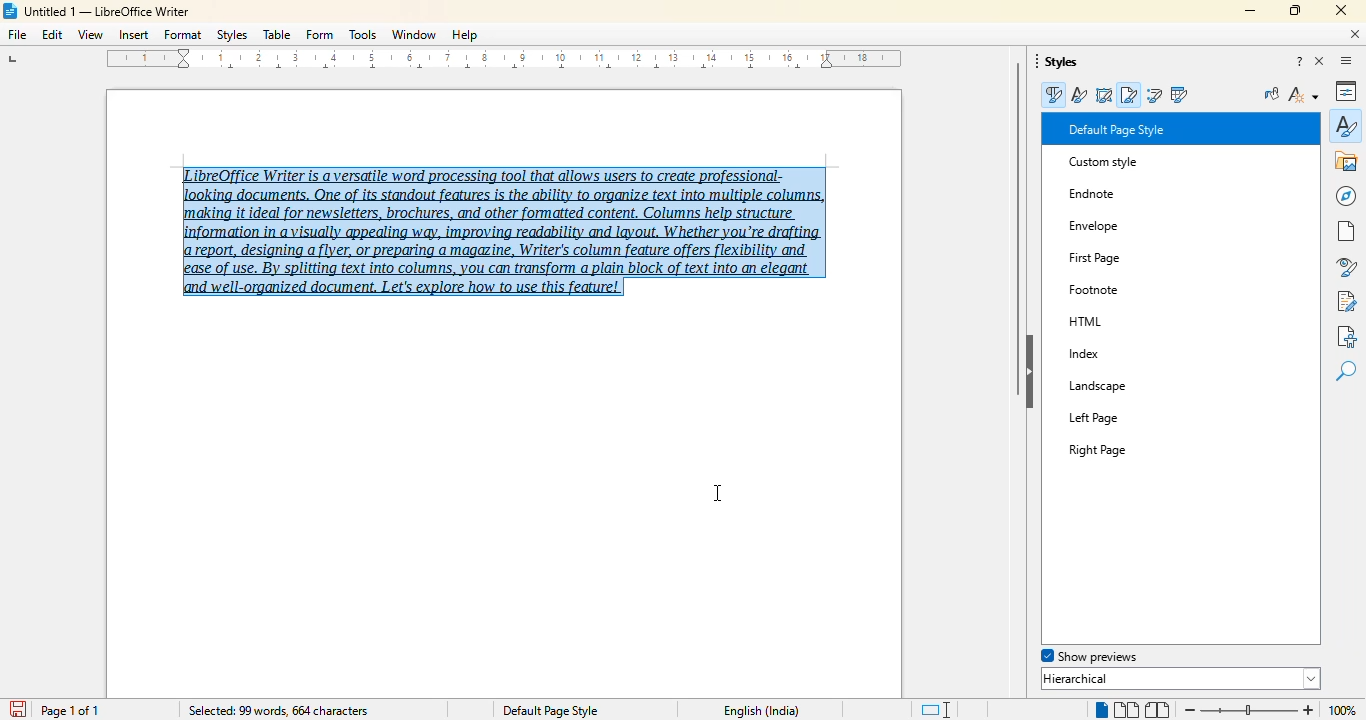 Image resolution: width=1366 pixels, height=720 pixels. What do you see at coordinates (133, 35) in the screenshot?
I see `insert` at bounding box center [133, 35].